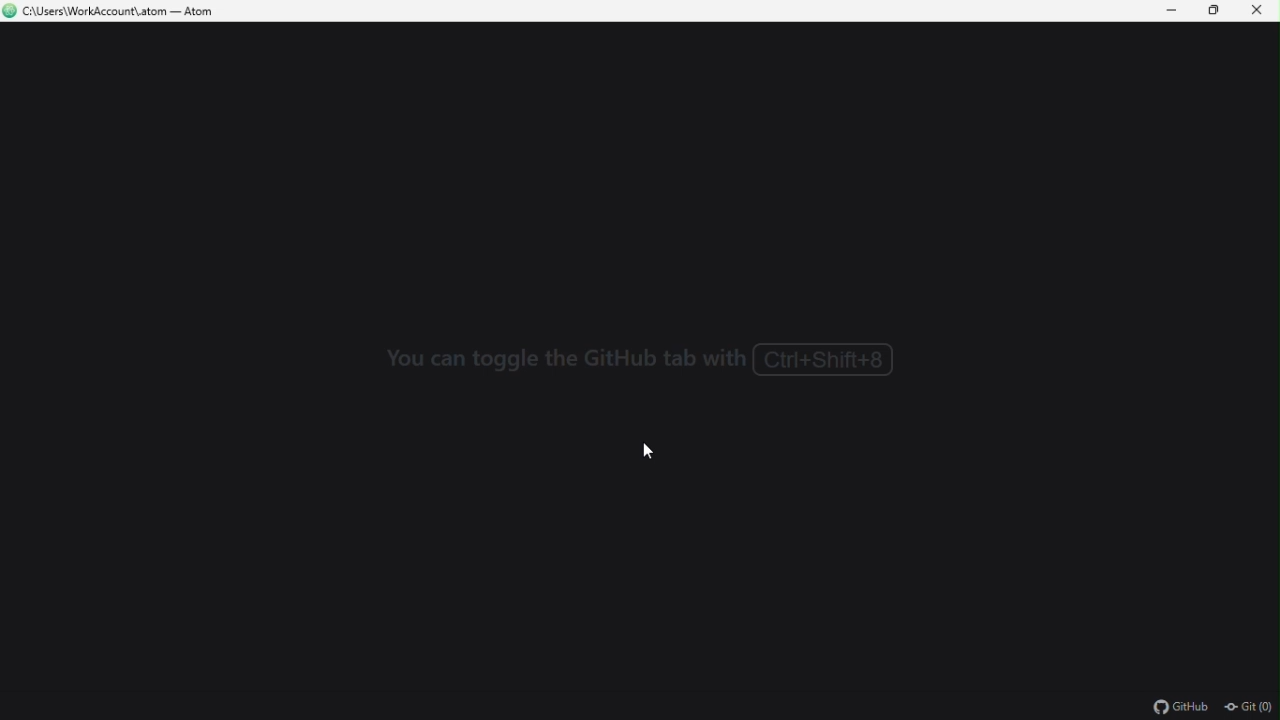  I want to click on git, so click(1251, 708).